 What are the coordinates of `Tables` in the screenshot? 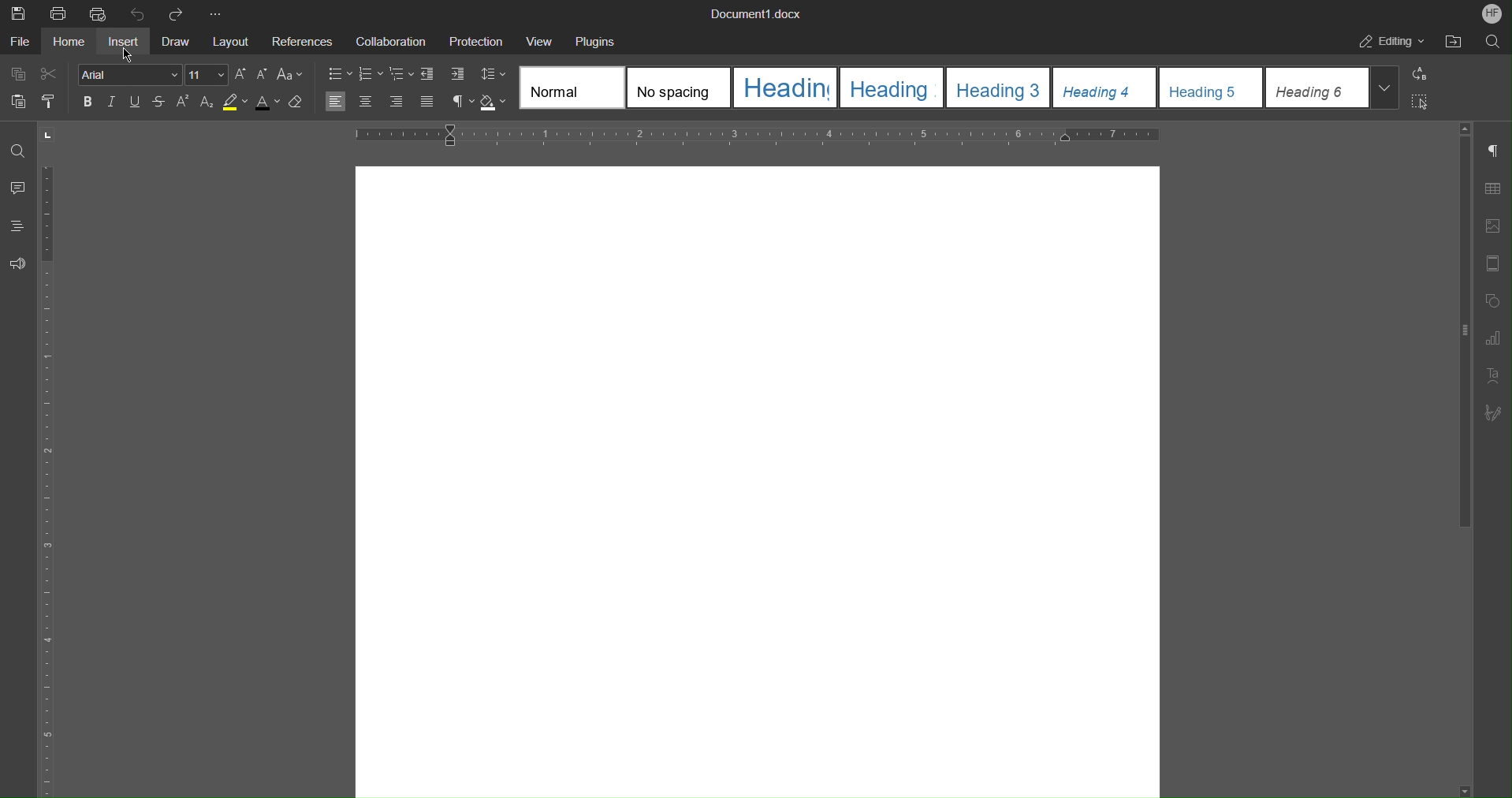 It's located at (1498, 188).